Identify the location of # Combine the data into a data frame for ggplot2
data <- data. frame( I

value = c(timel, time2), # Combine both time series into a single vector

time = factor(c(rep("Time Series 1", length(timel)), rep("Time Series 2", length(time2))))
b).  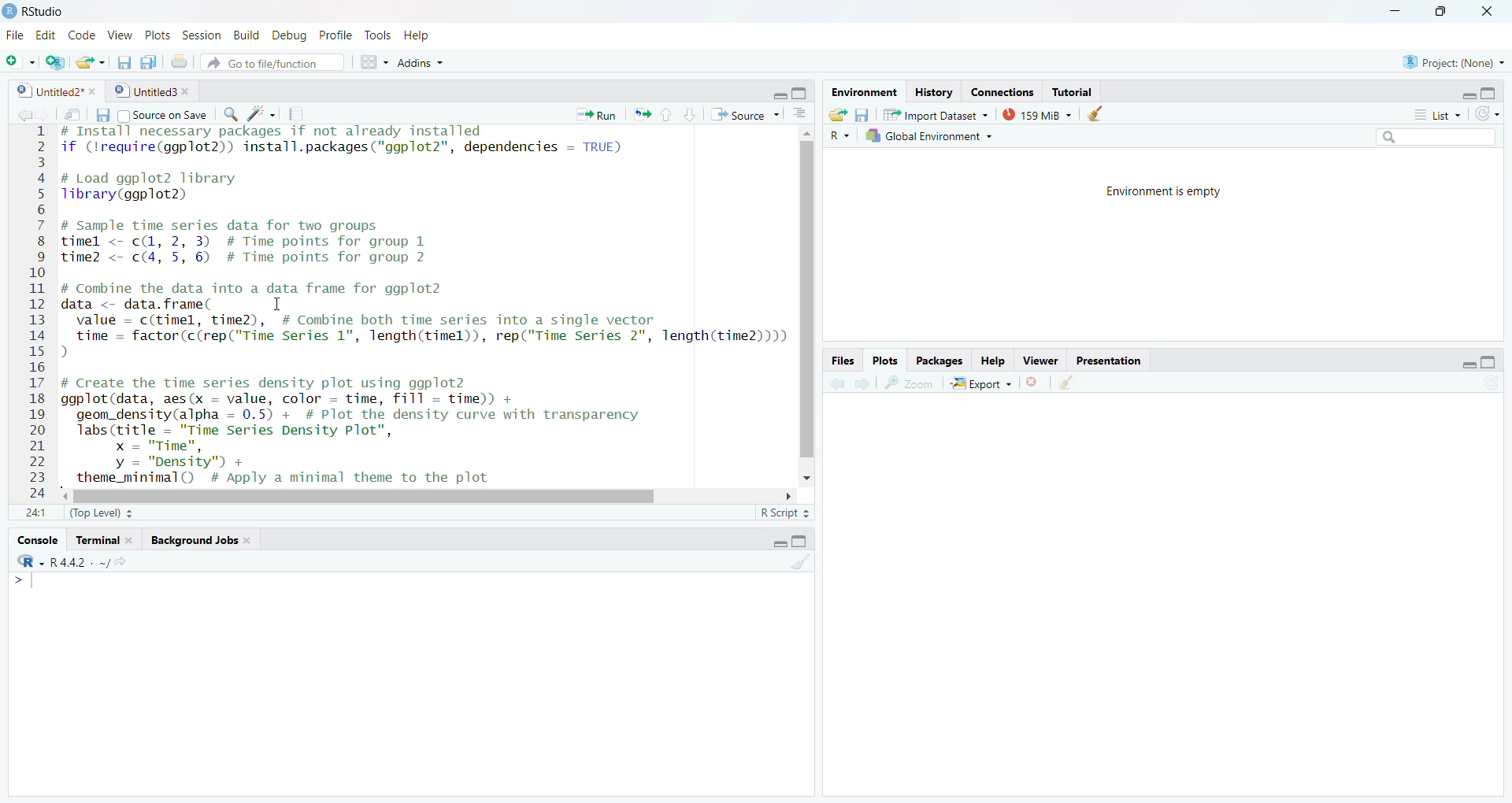
(424, 320).